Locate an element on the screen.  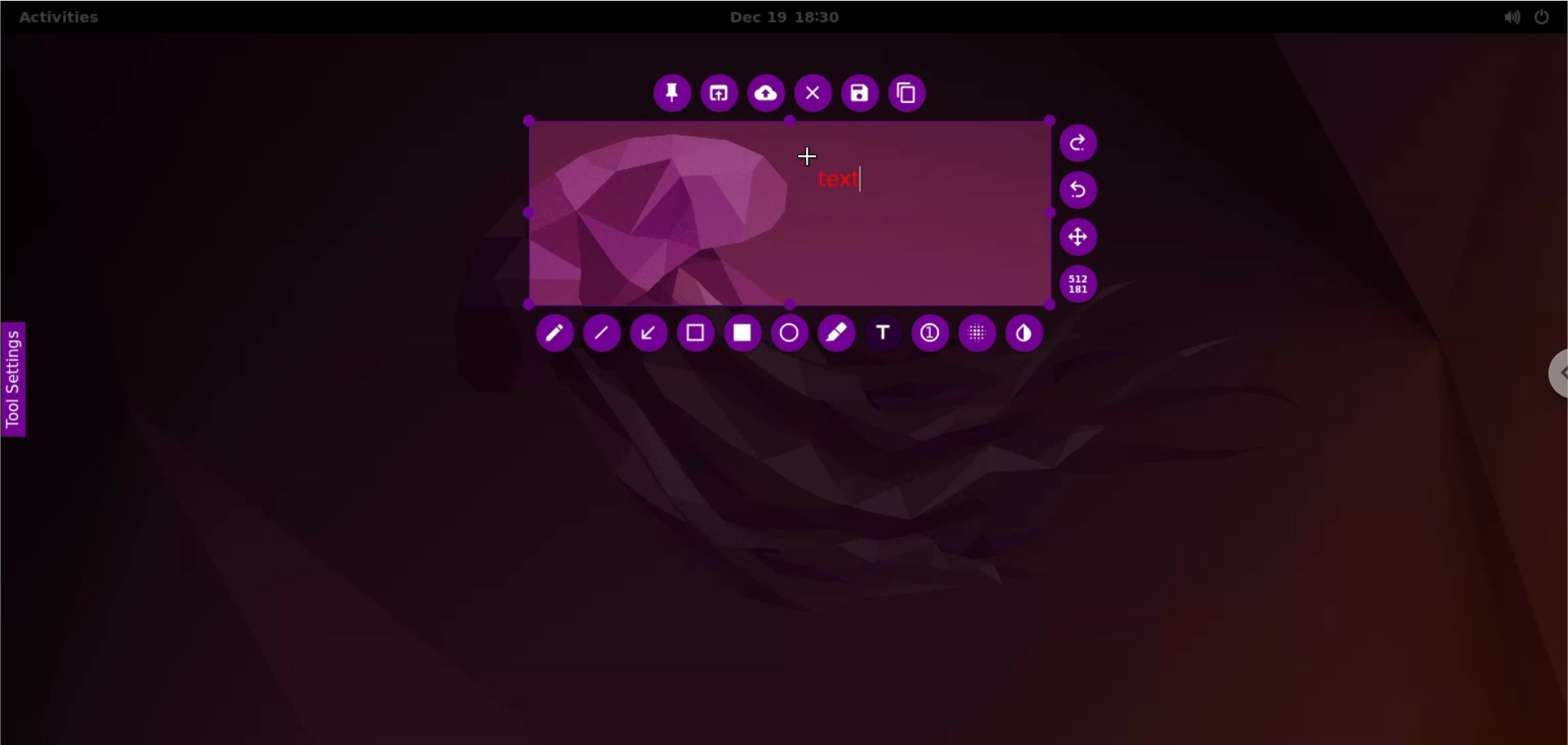
copy to clipboard is located at coordinates (912, 94).